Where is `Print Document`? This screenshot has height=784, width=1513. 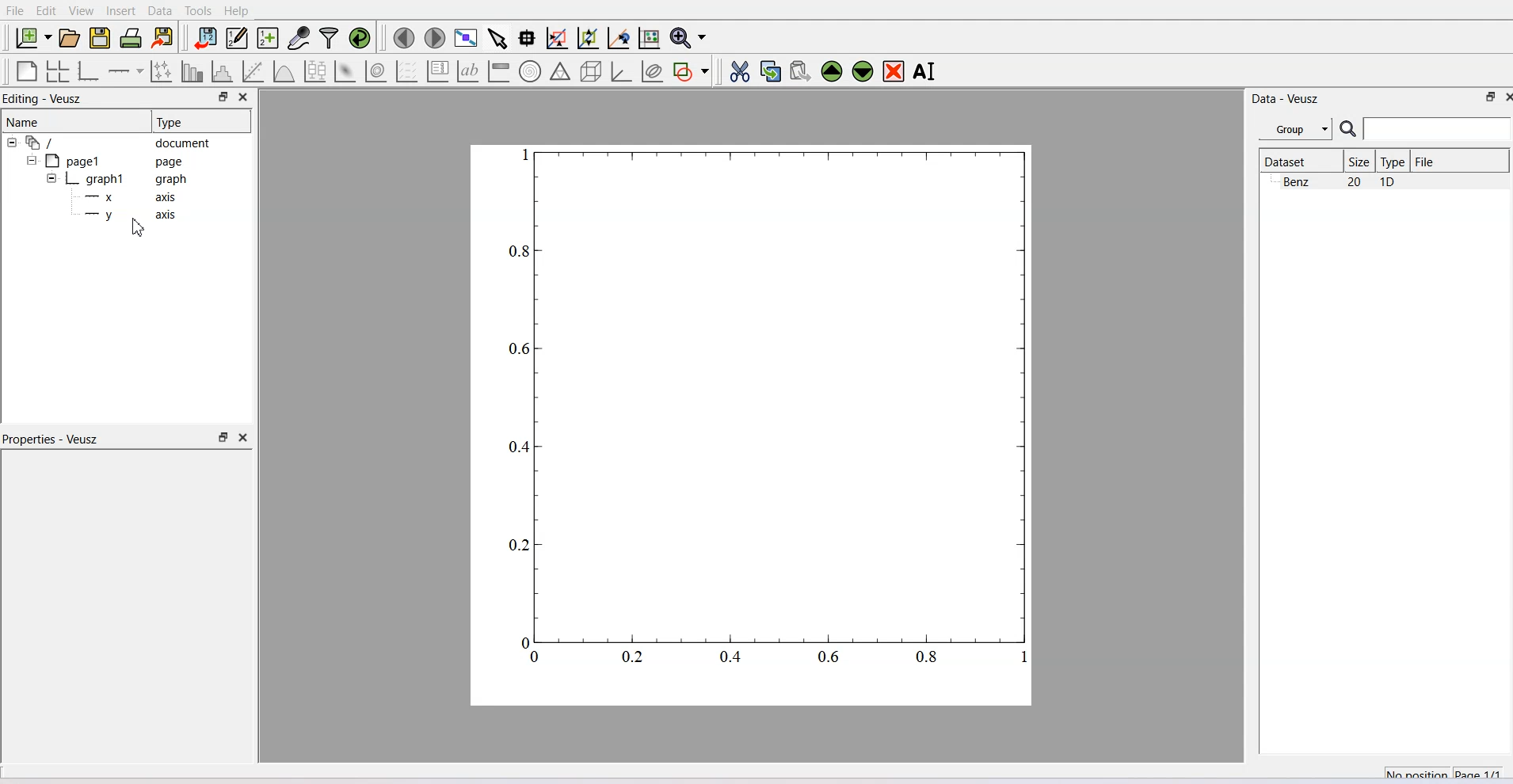
Print Document is located at coordinates (131, 38).